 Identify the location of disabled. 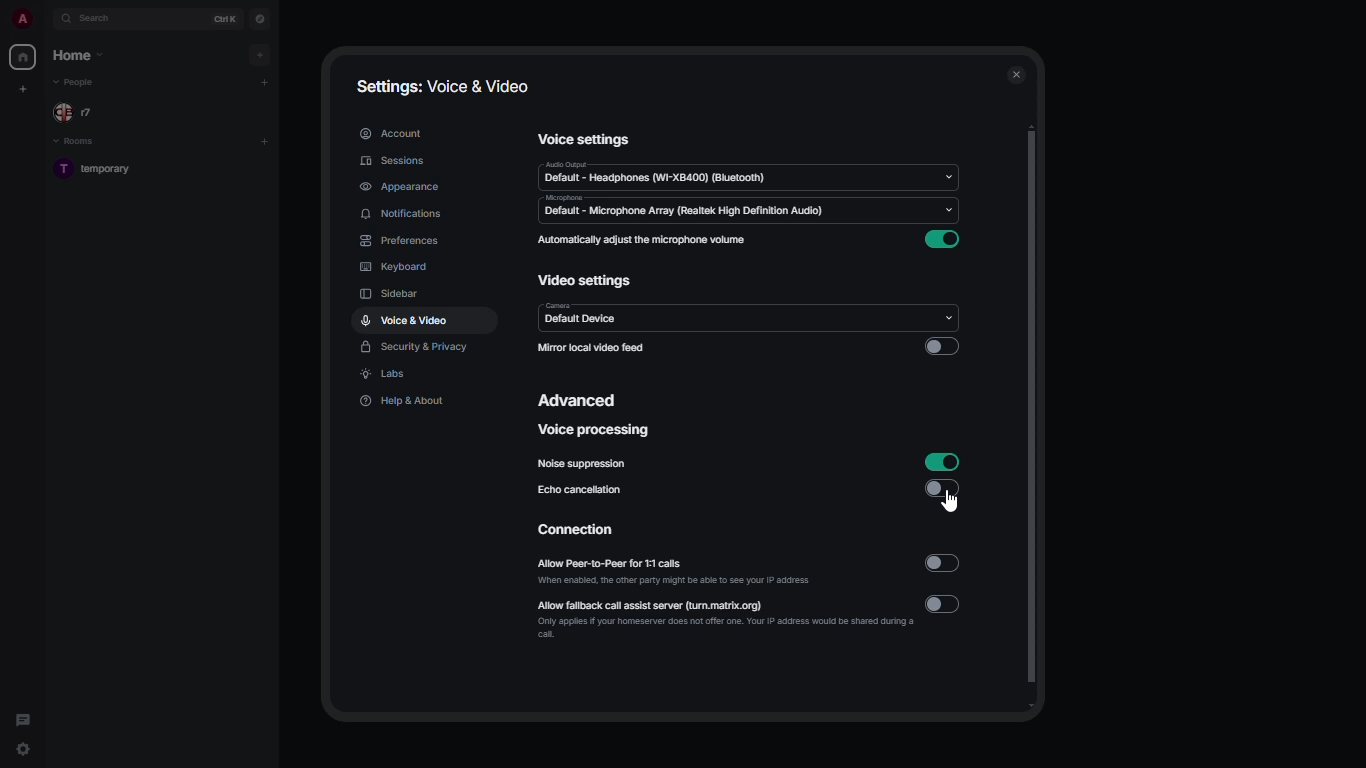
(938, 563).